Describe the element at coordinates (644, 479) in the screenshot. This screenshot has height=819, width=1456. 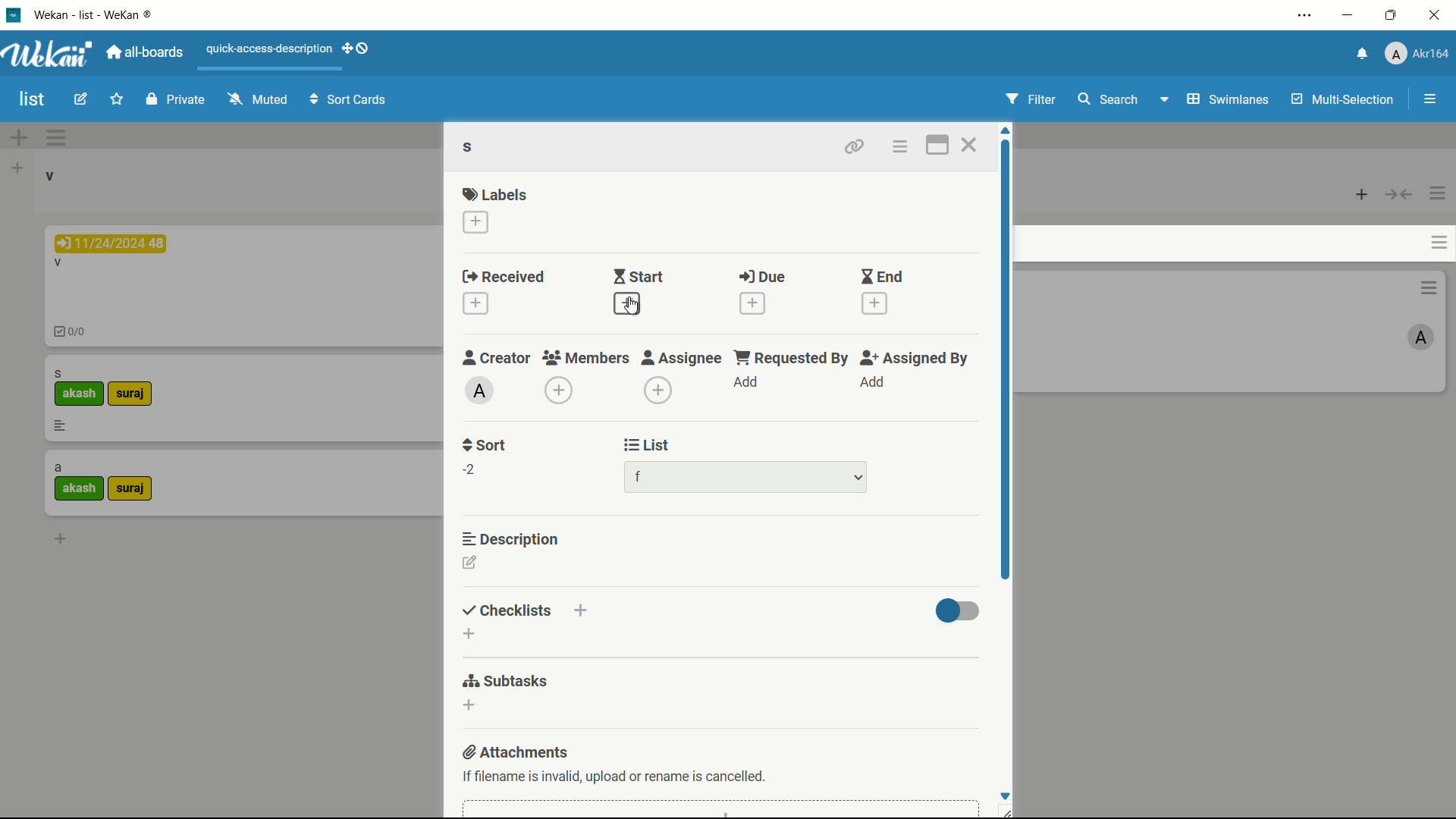
I see `list name` at that location.